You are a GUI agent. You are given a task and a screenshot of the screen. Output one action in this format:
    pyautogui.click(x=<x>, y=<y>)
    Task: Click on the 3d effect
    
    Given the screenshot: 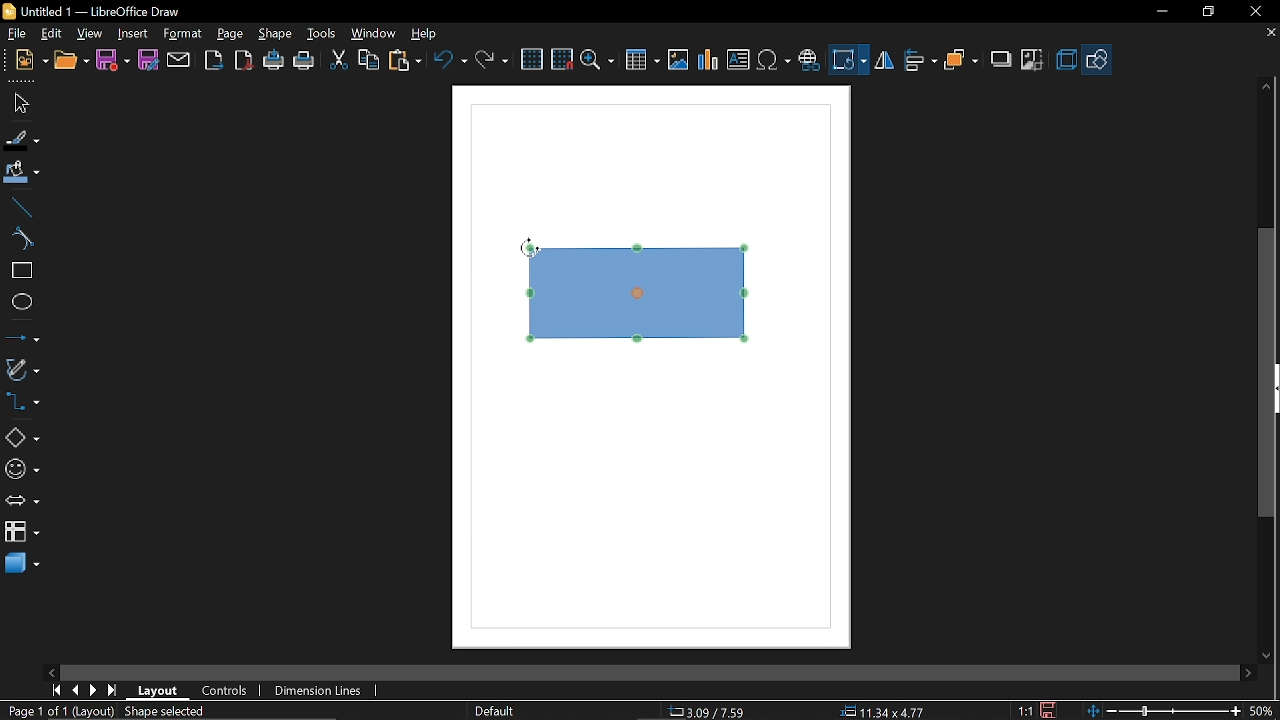 What is the action you would take?
    pyautogui.click(x=1066, y=60)
    